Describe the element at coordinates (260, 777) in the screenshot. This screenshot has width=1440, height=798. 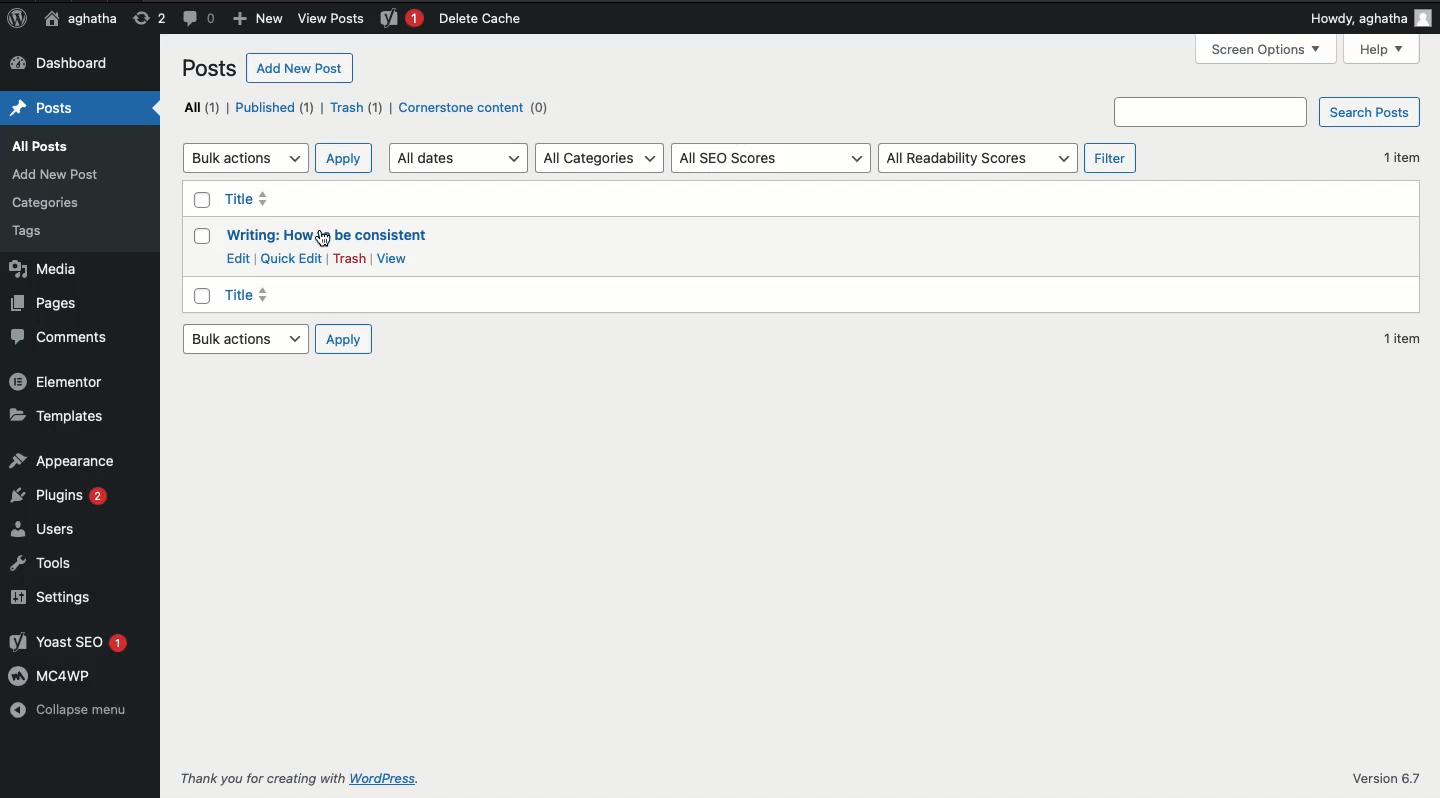
I see `Thank you for creating with` at that location.